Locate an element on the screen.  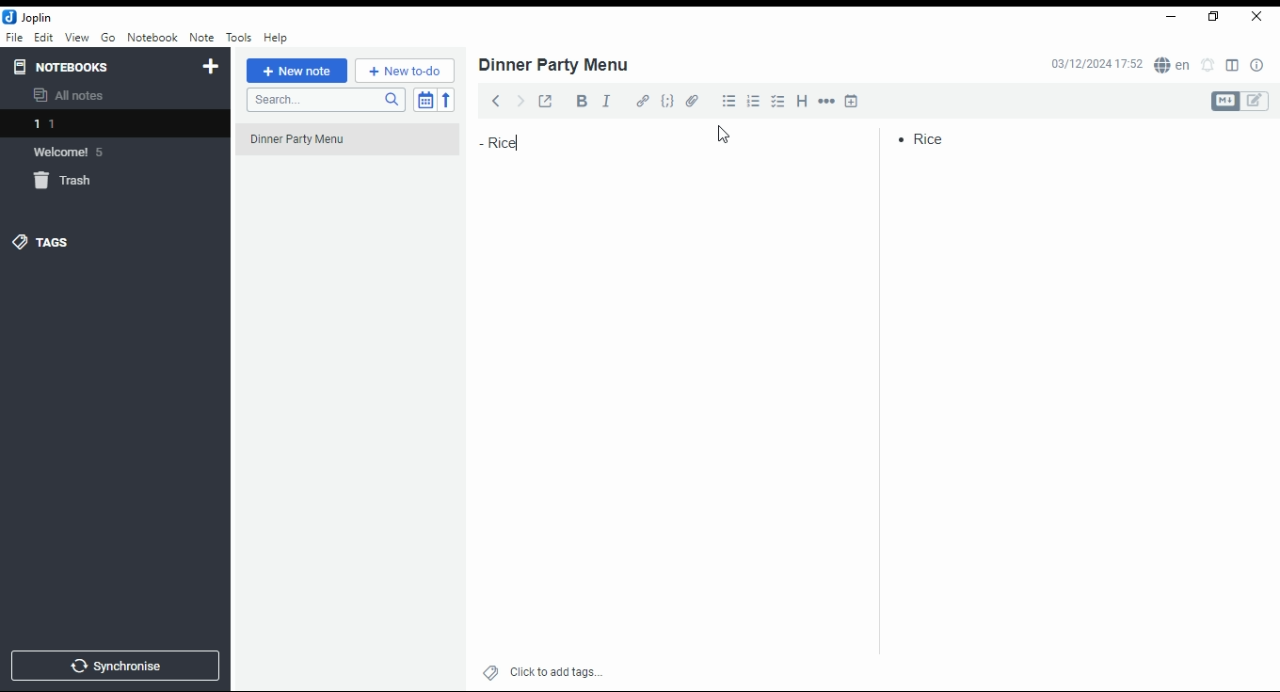
hyperlink is located at coordinates (642, 101).